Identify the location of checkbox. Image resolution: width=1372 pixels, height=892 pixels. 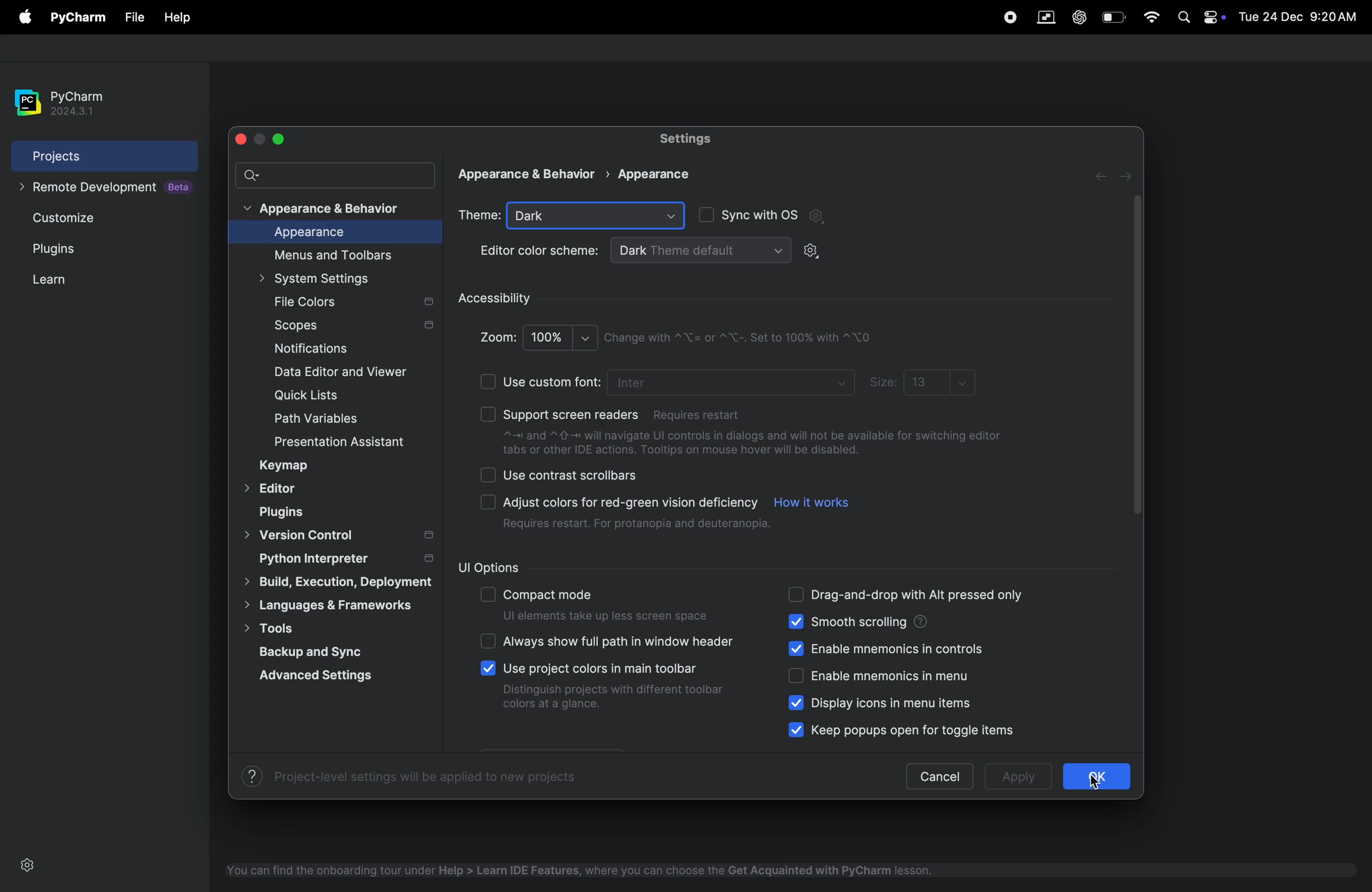
(797, 621).